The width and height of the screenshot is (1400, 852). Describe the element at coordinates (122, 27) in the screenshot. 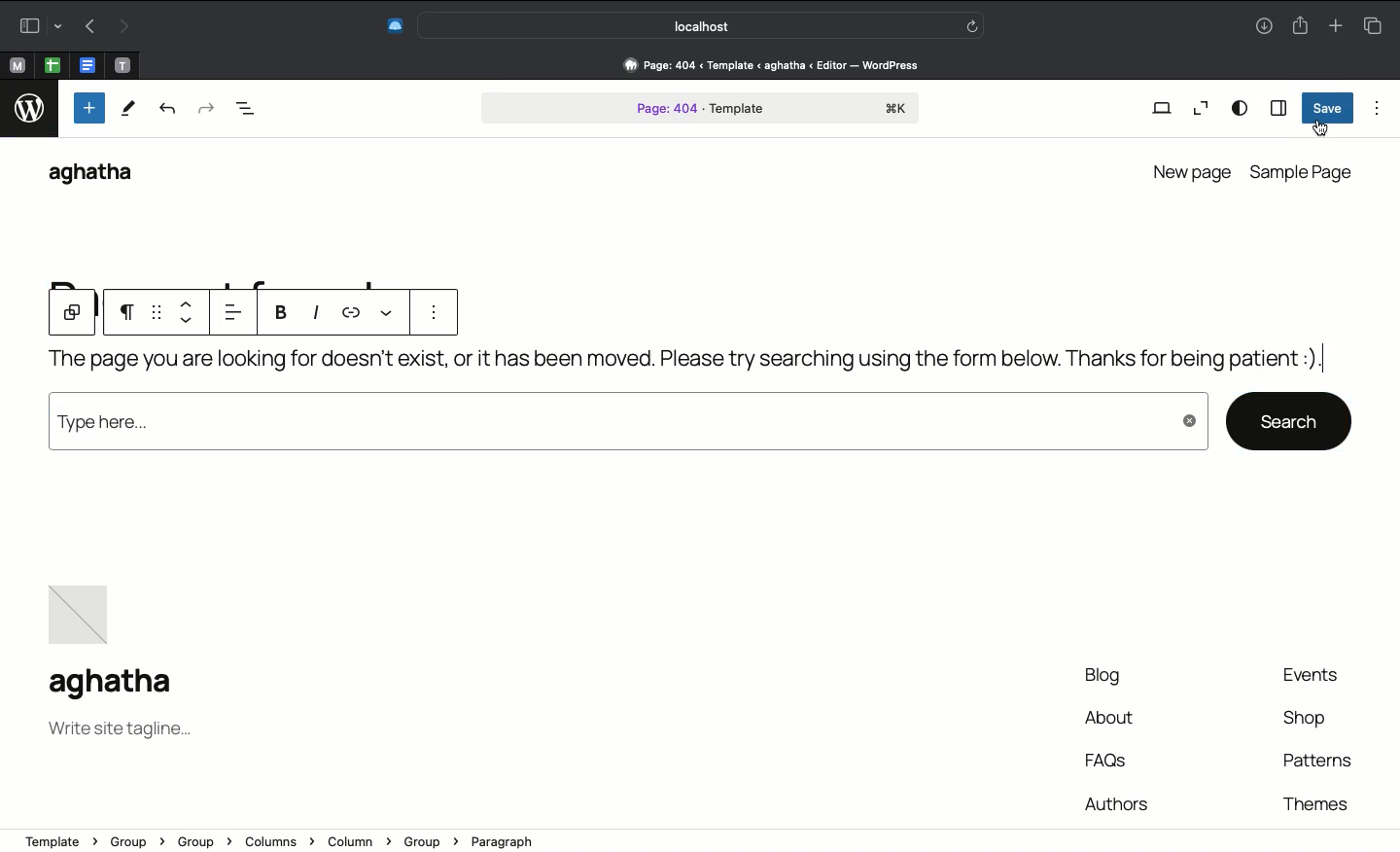

I see `Redo` at that location.